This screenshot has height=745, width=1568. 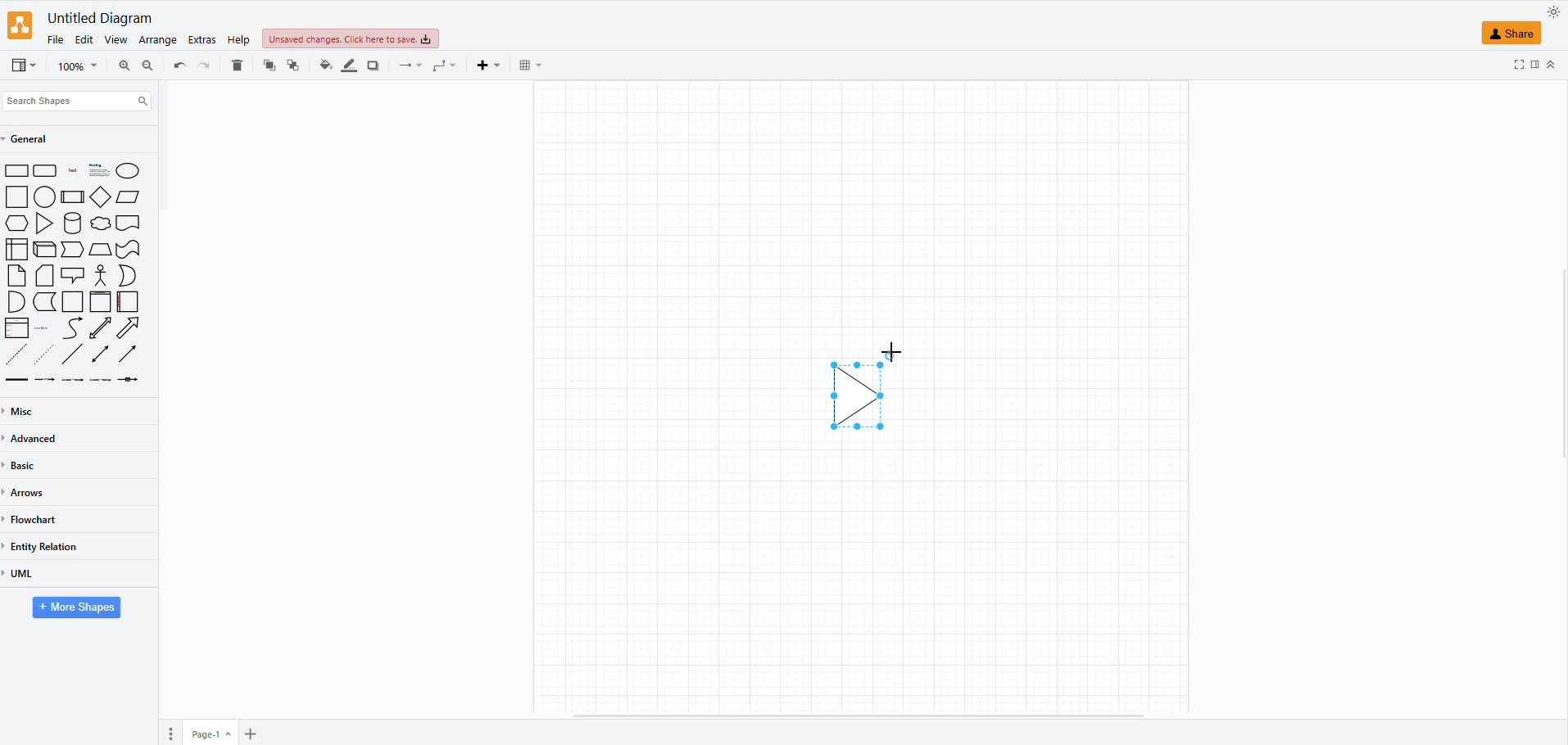 What do you see at coordinates (78, 609) in the screenshot?
I see `more shapes` at bounding box center [78, 609].